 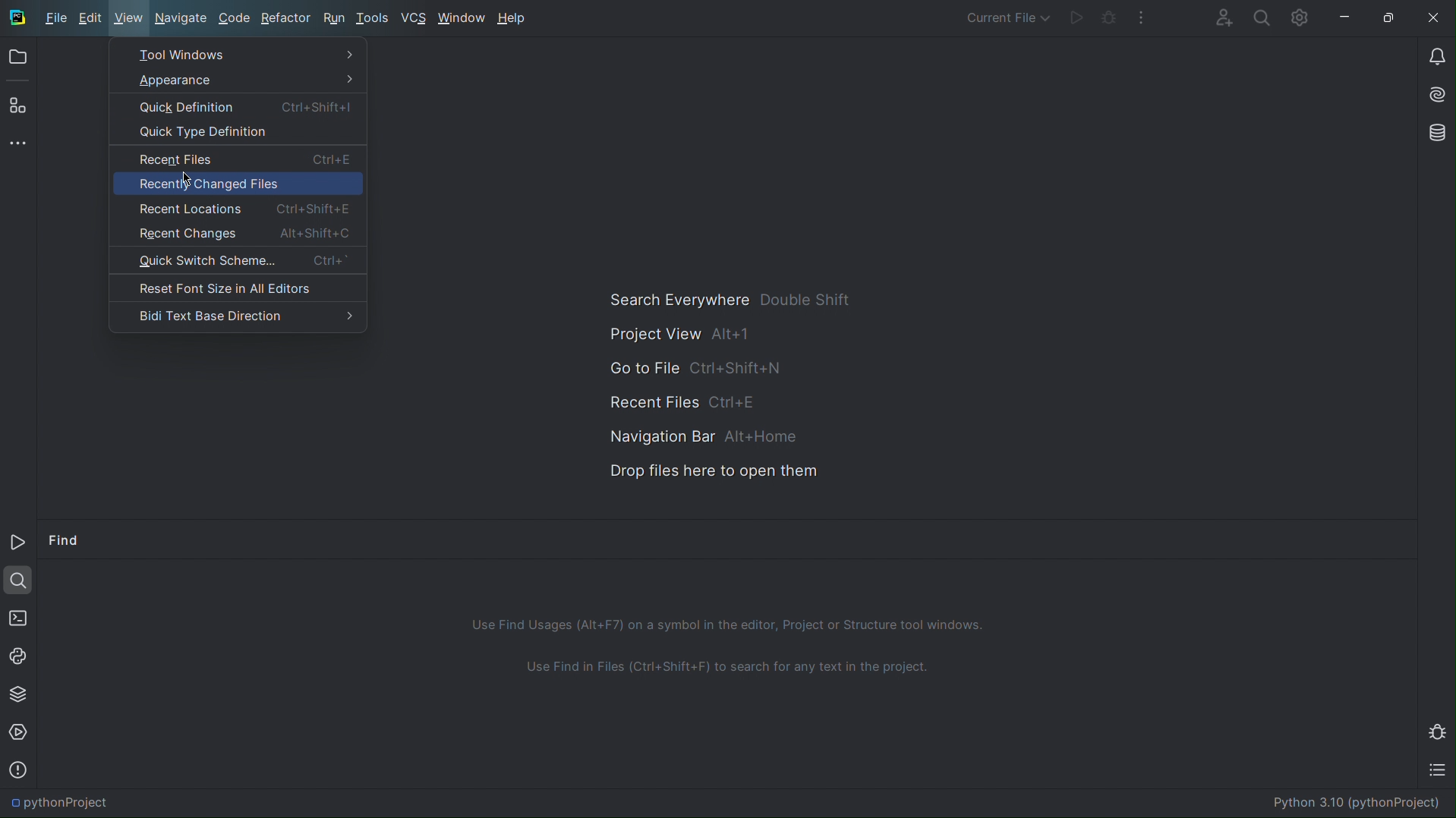 What do you see at coordinates (237, 184) in the screenshot?
I see `Recently Changed Files` at bounding box center [237, 184].